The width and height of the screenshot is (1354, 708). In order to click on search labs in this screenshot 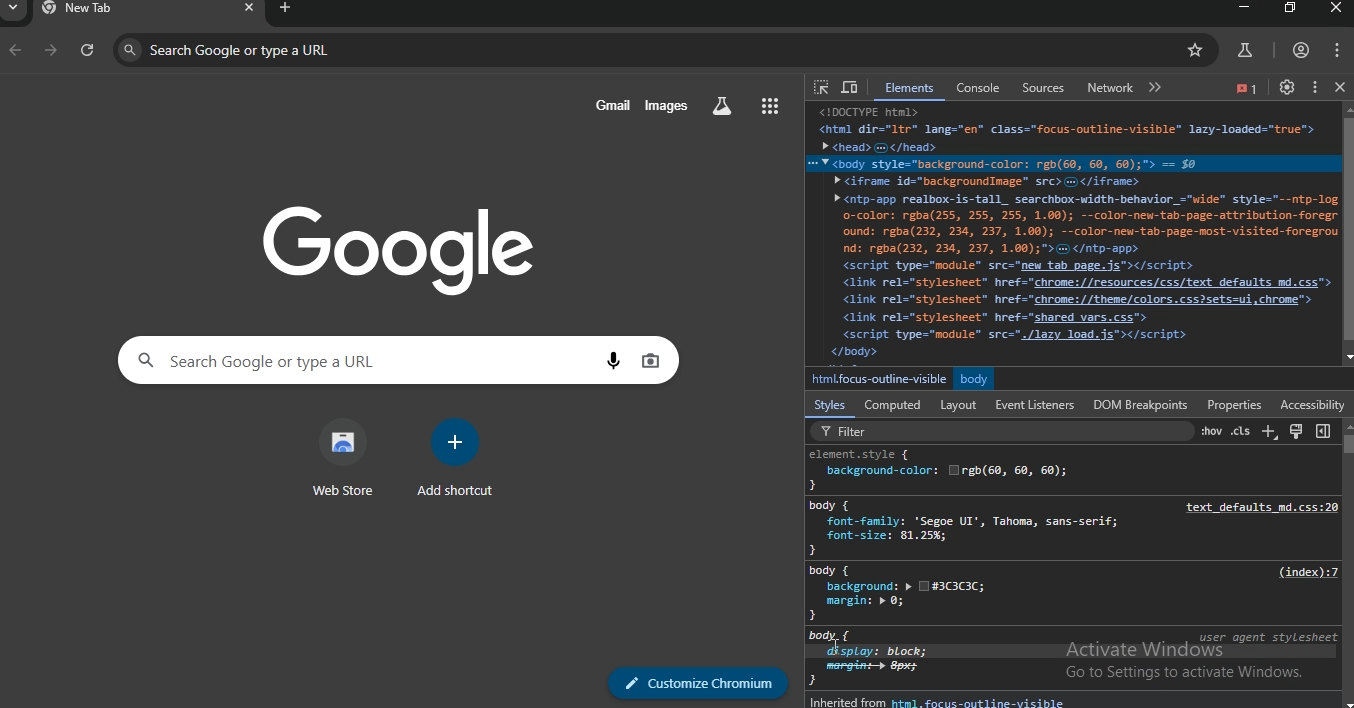, I will do `click(724, 105)`.